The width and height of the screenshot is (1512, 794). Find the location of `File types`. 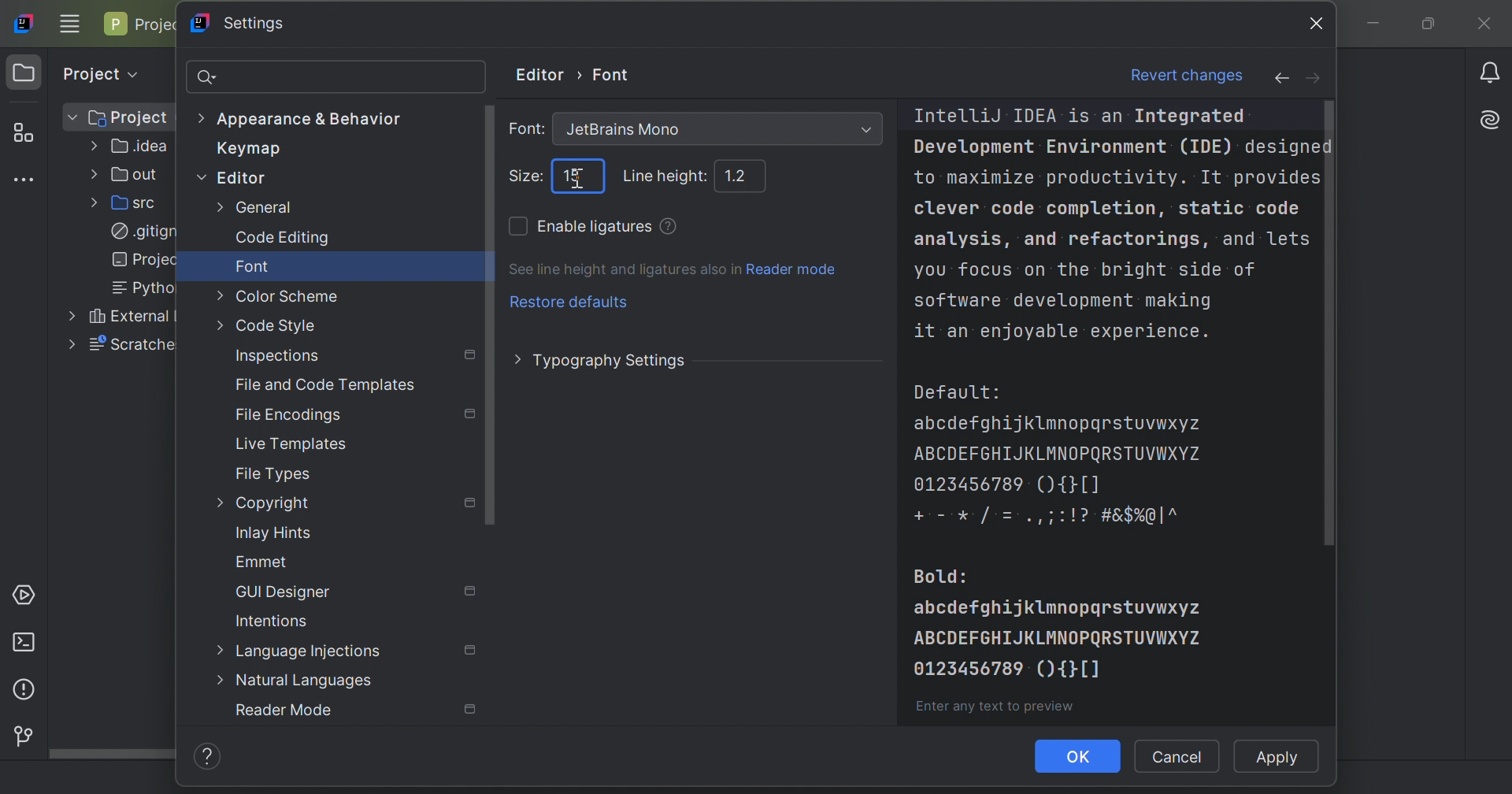

File types is located at coordinates (275, 473).